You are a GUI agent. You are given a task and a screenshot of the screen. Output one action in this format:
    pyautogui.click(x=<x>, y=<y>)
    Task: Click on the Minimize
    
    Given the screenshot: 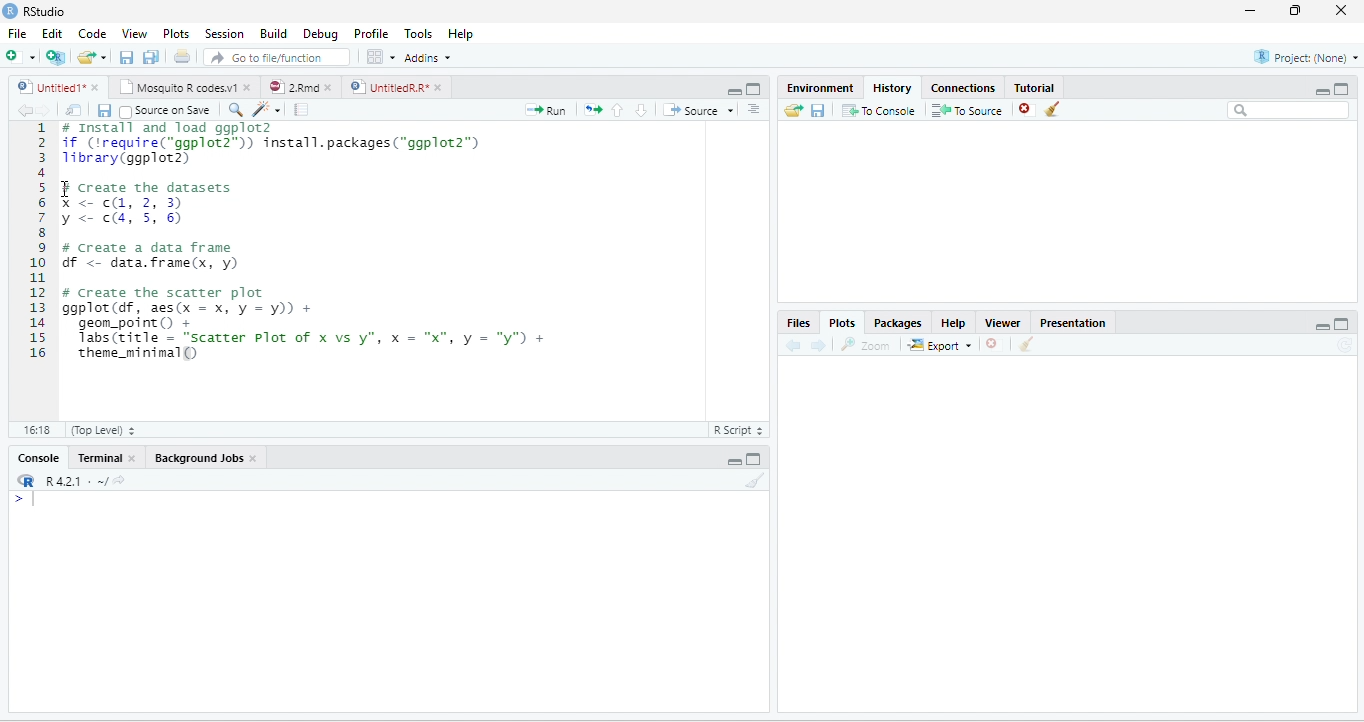 What is the action you would take?
    pyautogui.click(x=1322, y=326)
    